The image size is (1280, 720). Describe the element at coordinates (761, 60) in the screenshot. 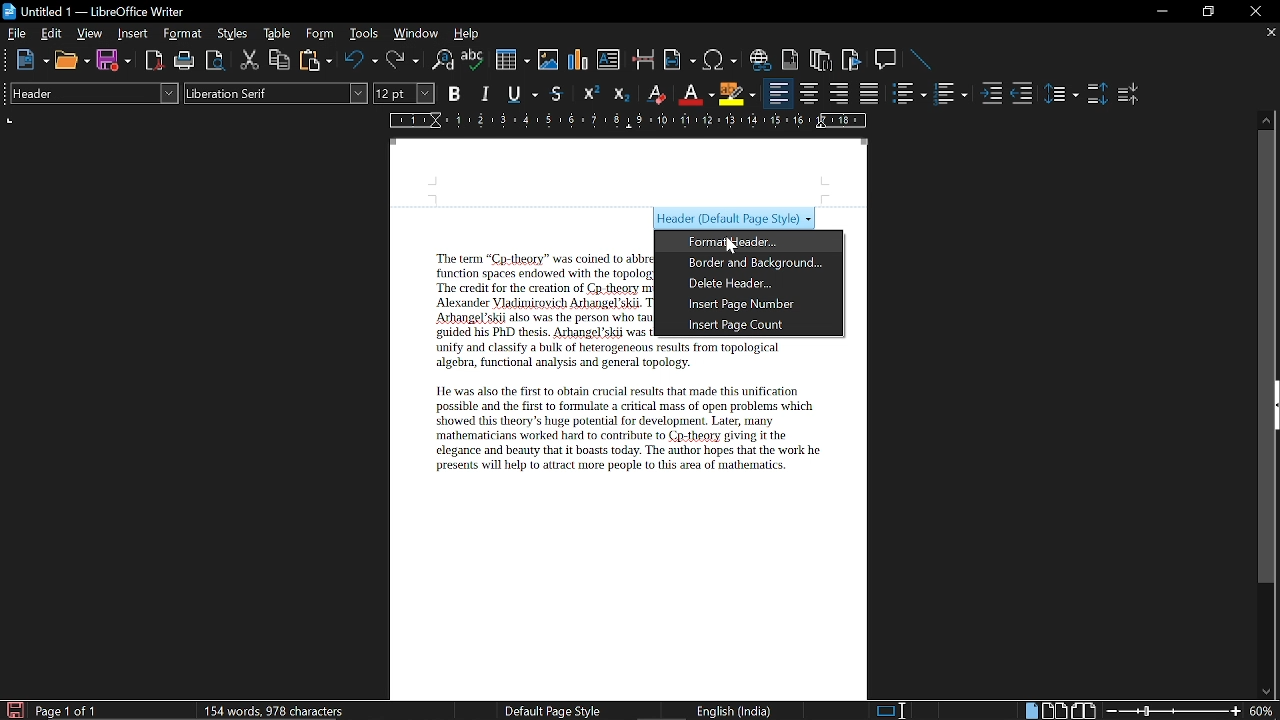

I see `Insert hyperlink` at that location.